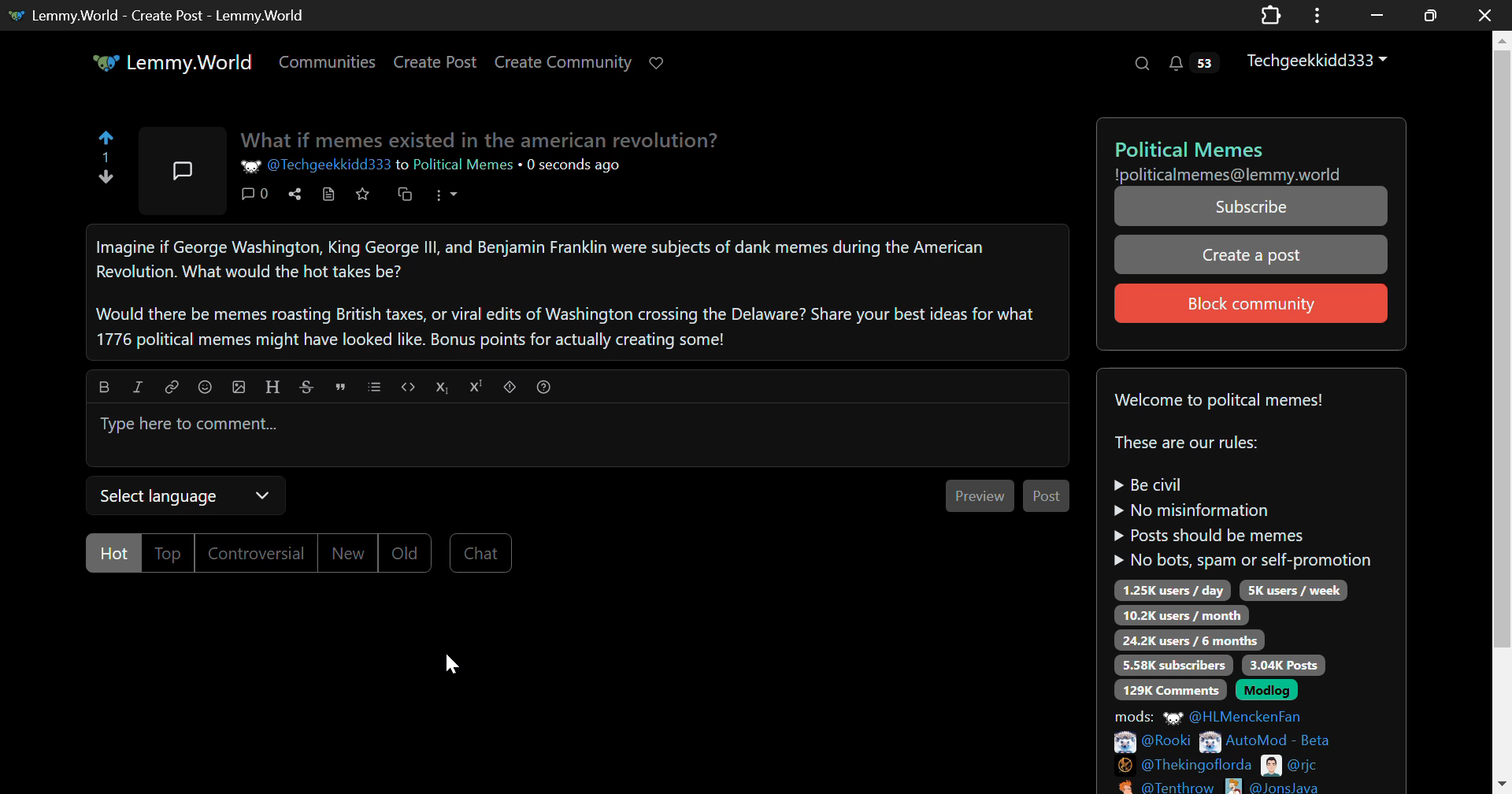 The height and width of the screenshot is (794, 1512). I want to click on Controversial Comment Filter Unselected, so click(258, 552).